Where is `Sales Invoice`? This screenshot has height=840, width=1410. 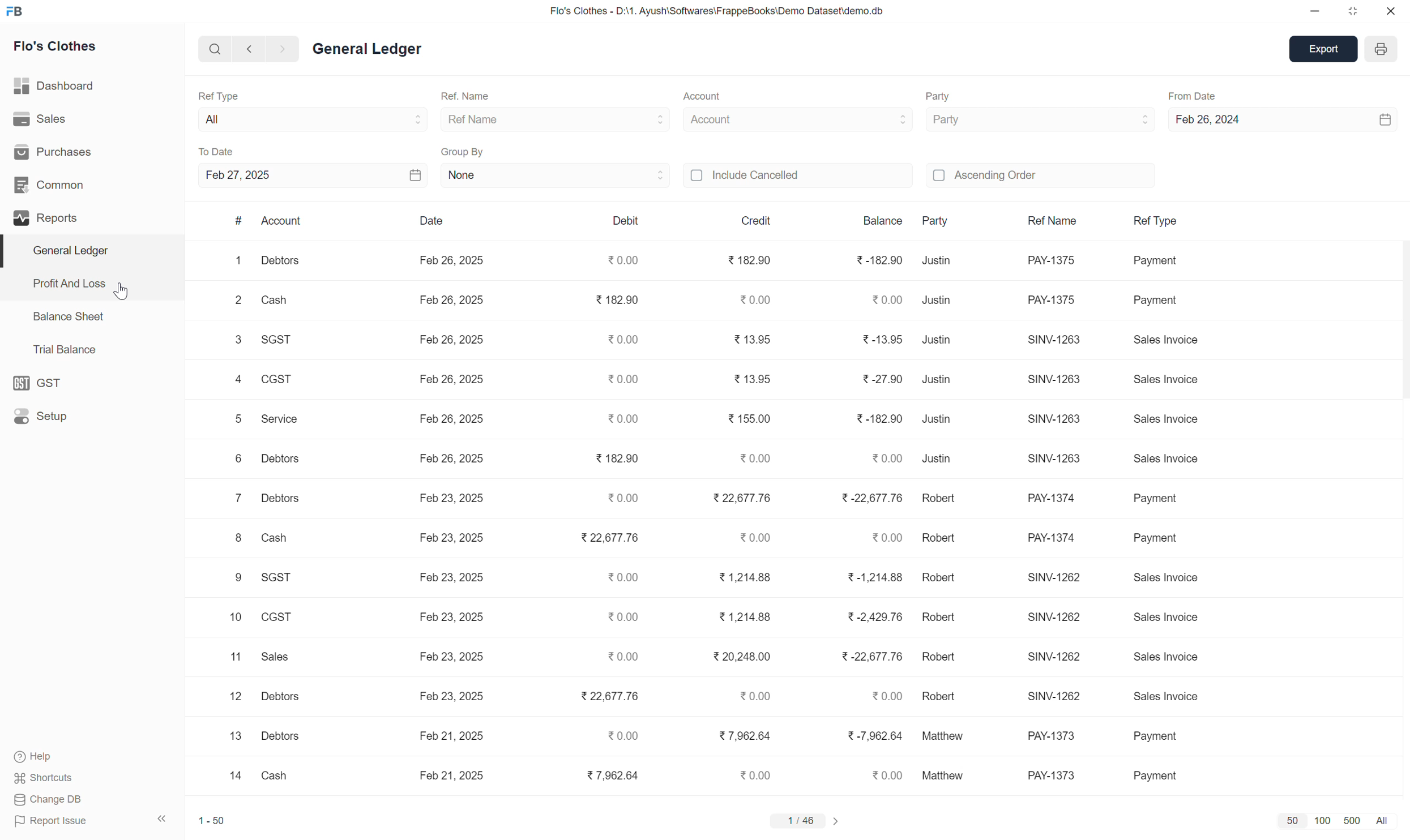
Sales Invoice is located at coordinates (1169, 459).